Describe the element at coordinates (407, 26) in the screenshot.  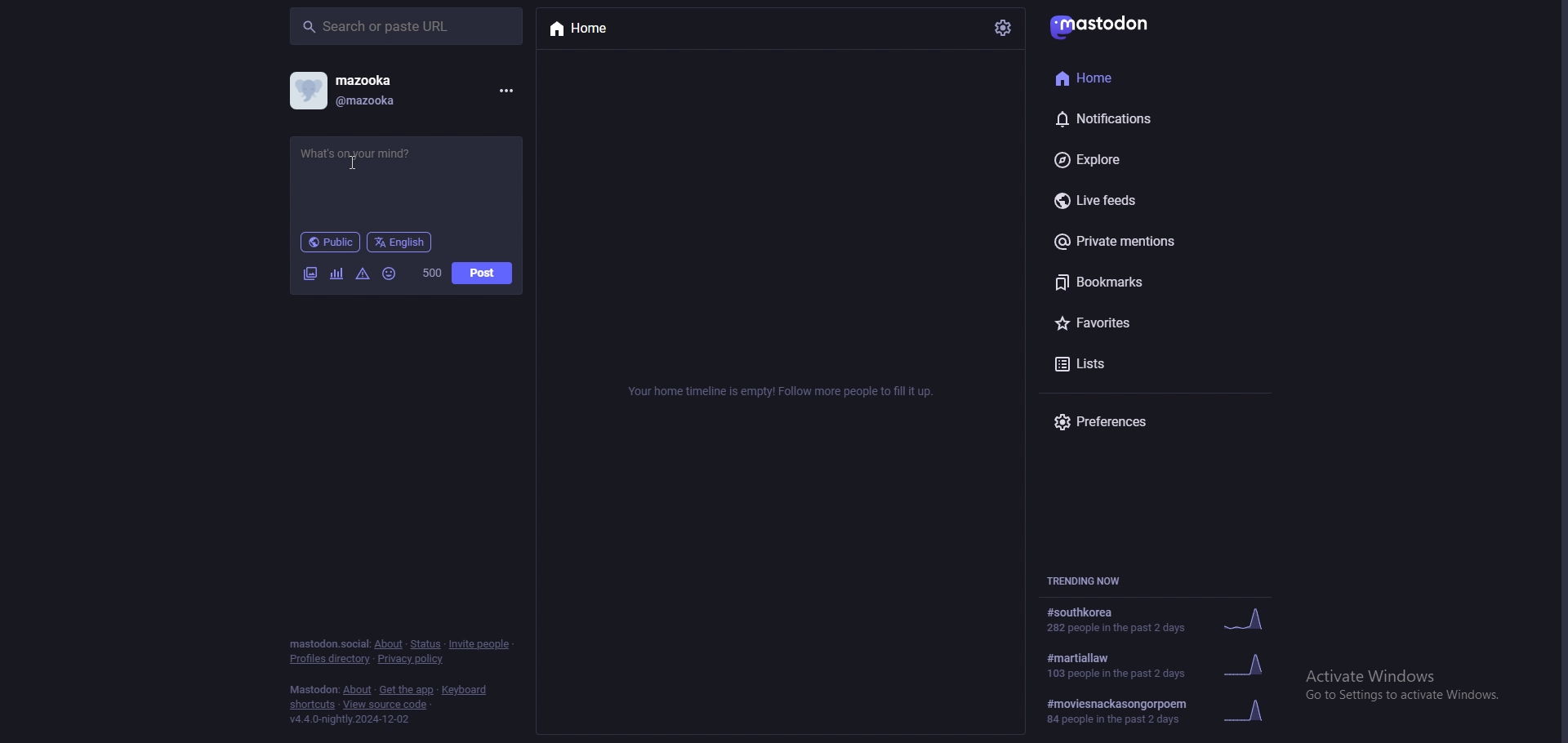
I see `search` at that location.